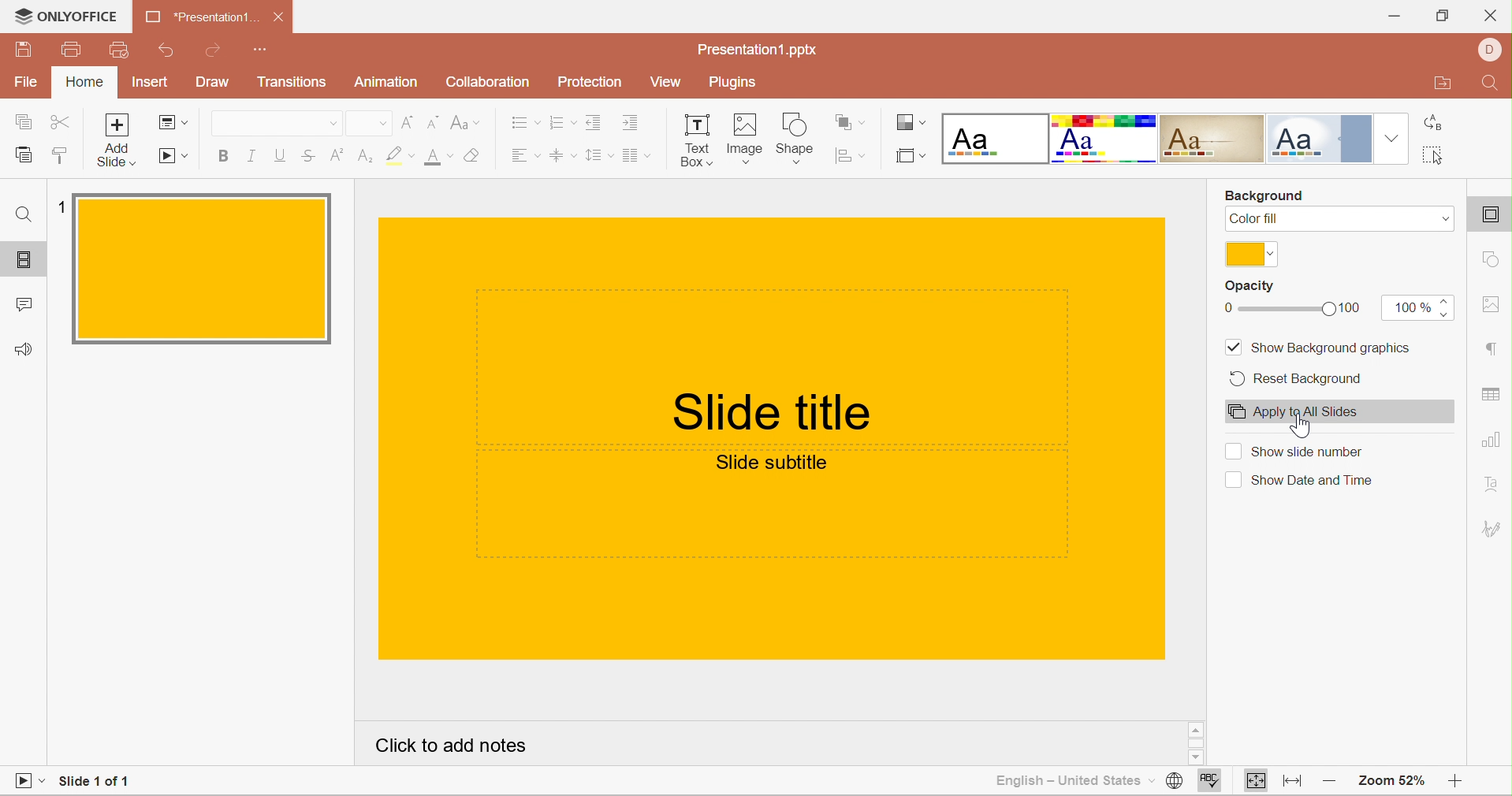  I want to click on Drop Down, so click(1391, 136).